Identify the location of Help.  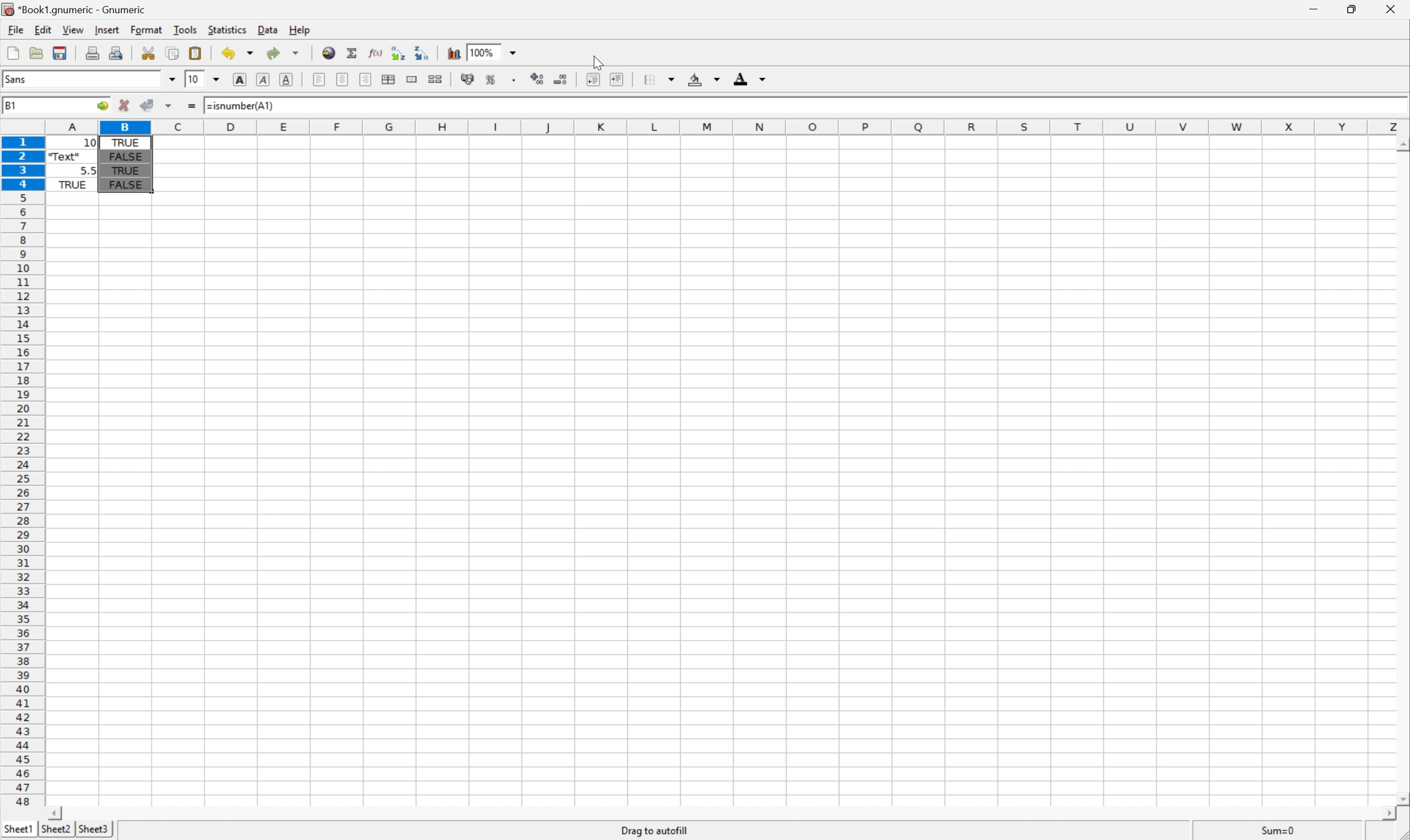
(302, 29).